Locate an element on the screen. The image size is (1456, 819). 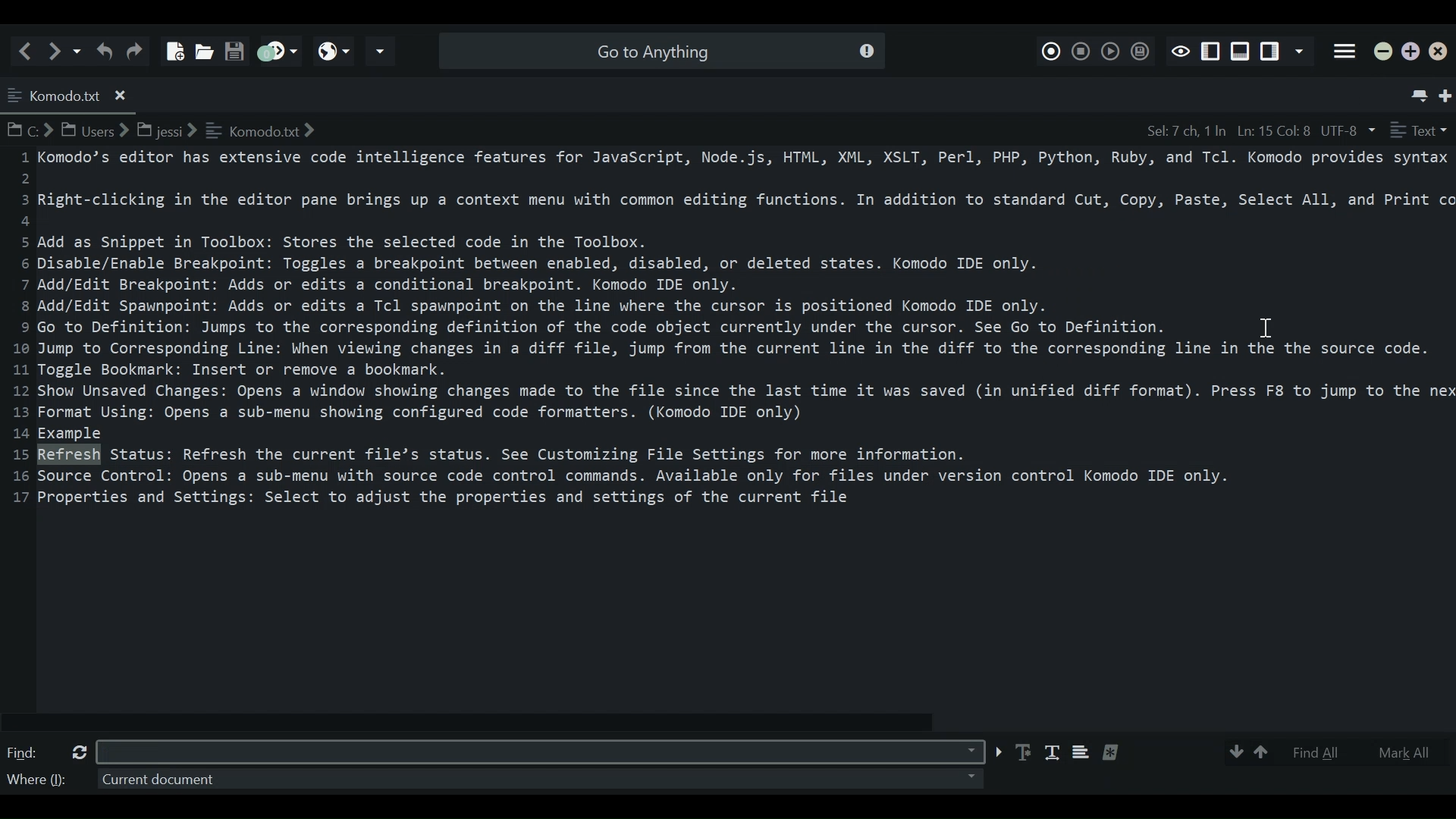
File Entry Pane is located at coordinates (730, 436).